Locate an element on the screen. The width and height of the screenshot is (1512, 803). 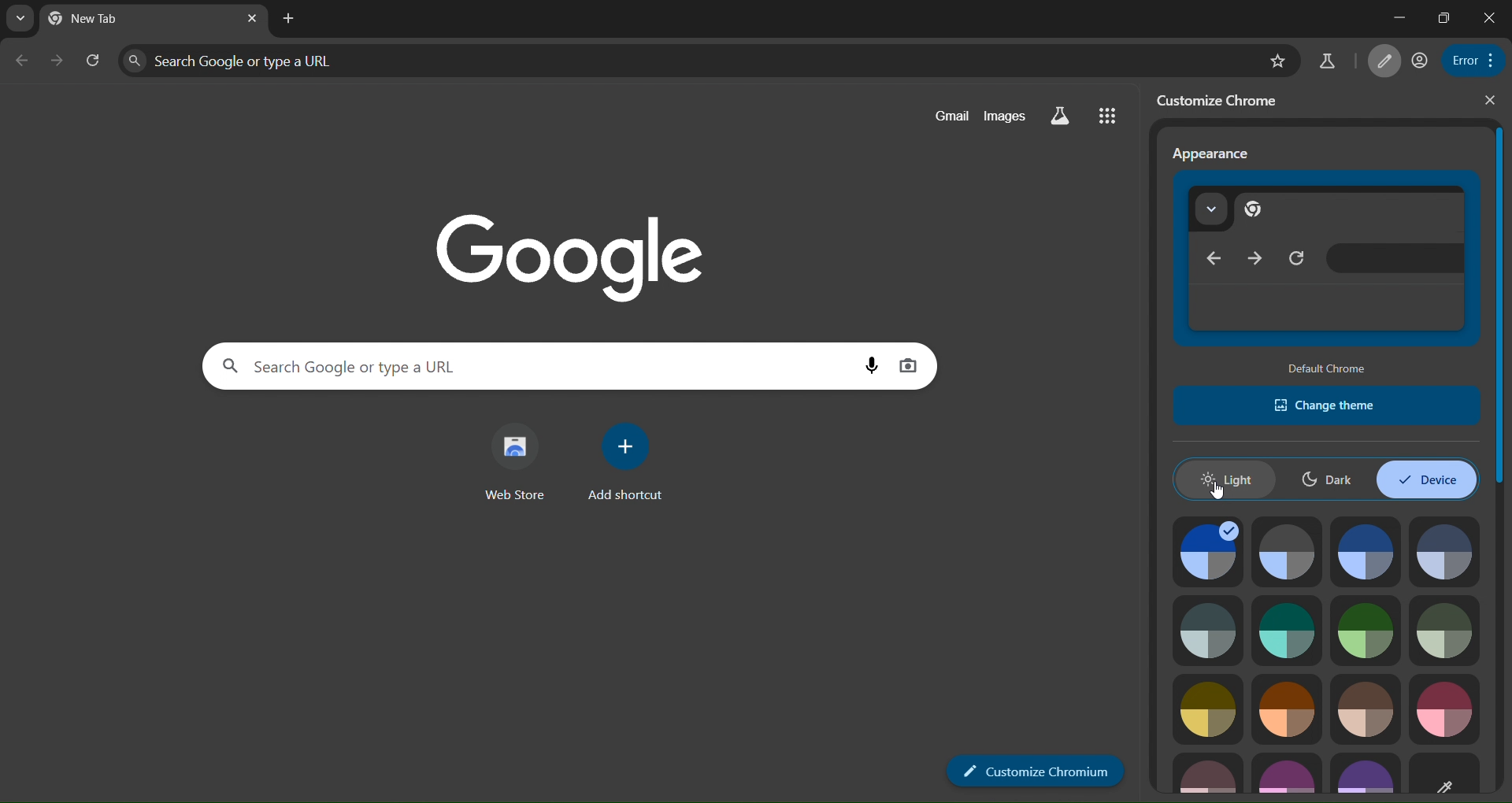
close is located at coordinates (1492, 17).